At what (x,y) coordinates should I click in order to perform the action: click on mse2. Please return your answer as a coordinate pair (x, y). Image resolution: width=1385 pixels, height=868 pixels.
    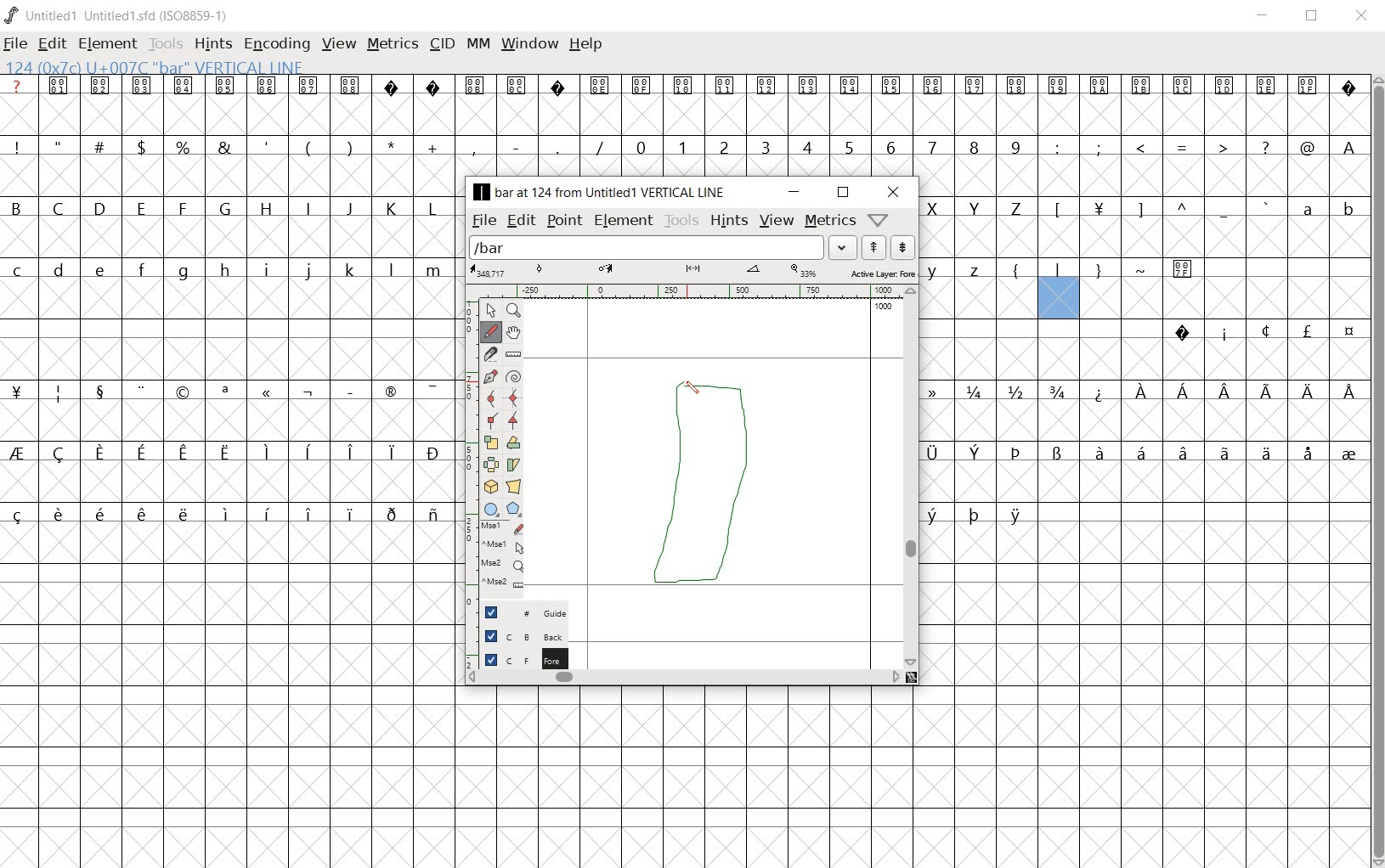
    Looking at the image, I should click on (497, 586).